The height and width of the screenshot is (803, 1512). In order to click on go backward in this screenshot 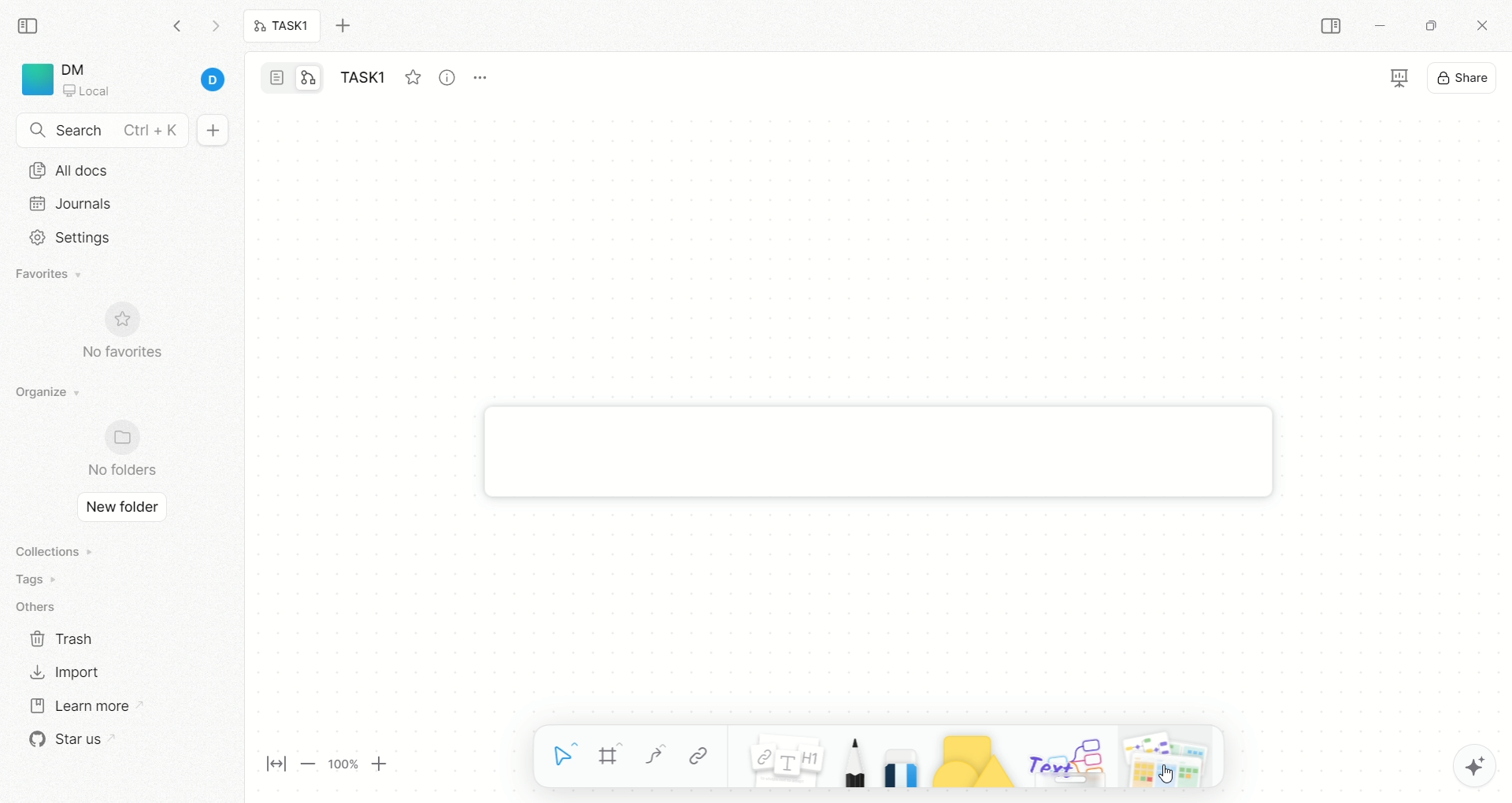, I will do `click(177, 25)`.